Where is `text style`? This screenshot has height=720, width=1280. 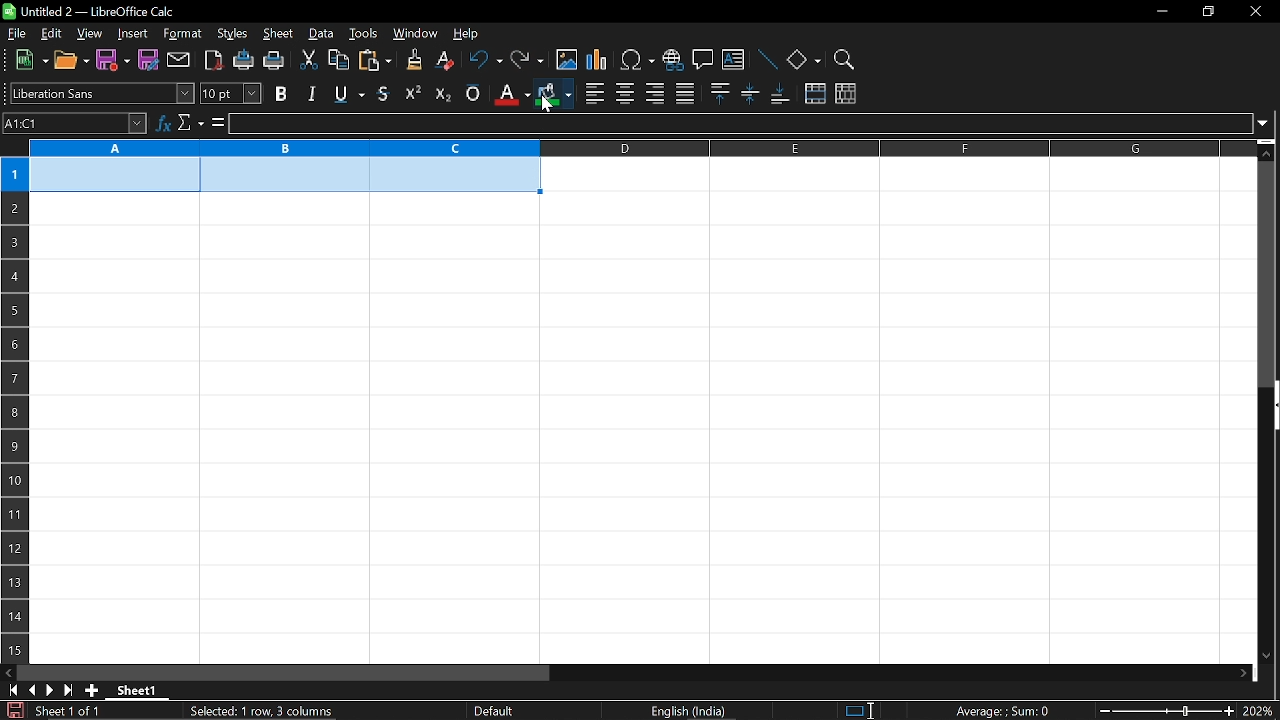
text style is located at coordinates (103, 94).